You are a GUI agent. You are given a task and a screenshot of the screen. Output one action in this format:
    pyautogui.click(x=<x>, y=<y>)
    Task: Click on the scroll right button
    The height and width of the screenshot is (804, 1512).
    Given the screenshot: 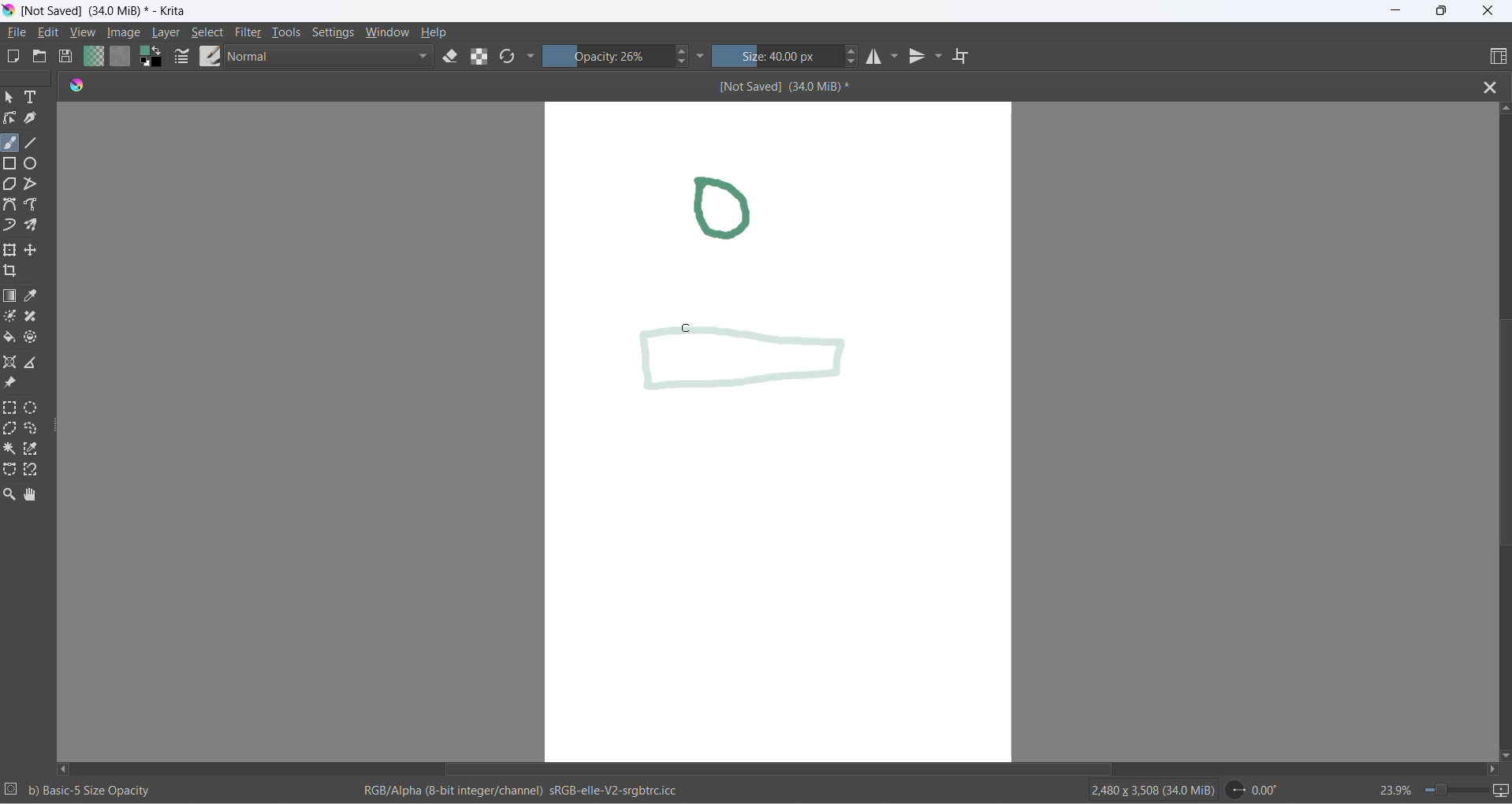 What is the action you would take?
    pyautogui.click(x=1497, y=769)
    